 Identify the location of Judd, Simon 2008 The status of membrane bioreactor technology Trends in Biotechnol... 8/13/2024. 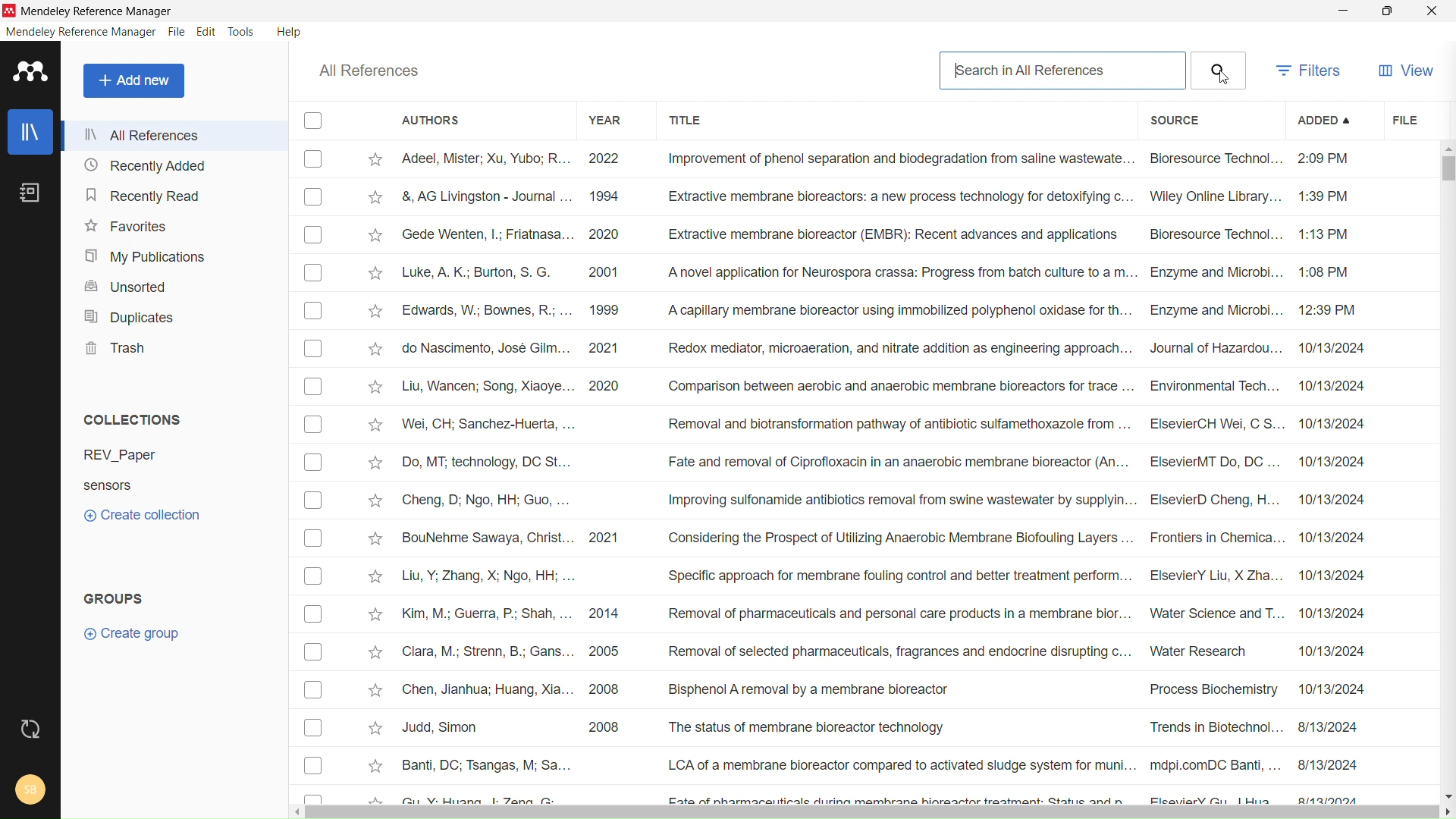
(877, 726).